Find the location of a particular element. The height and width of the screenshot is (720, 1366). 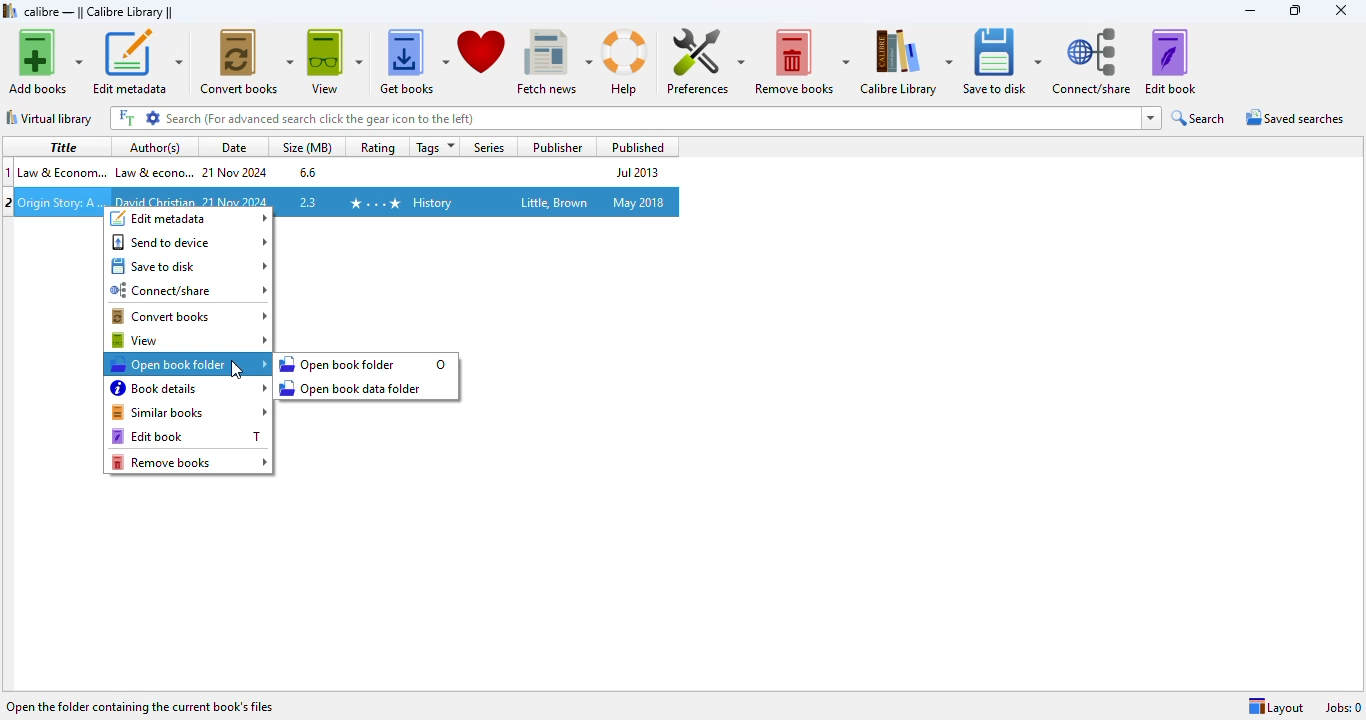

add books is located at coordinates (44, 61).